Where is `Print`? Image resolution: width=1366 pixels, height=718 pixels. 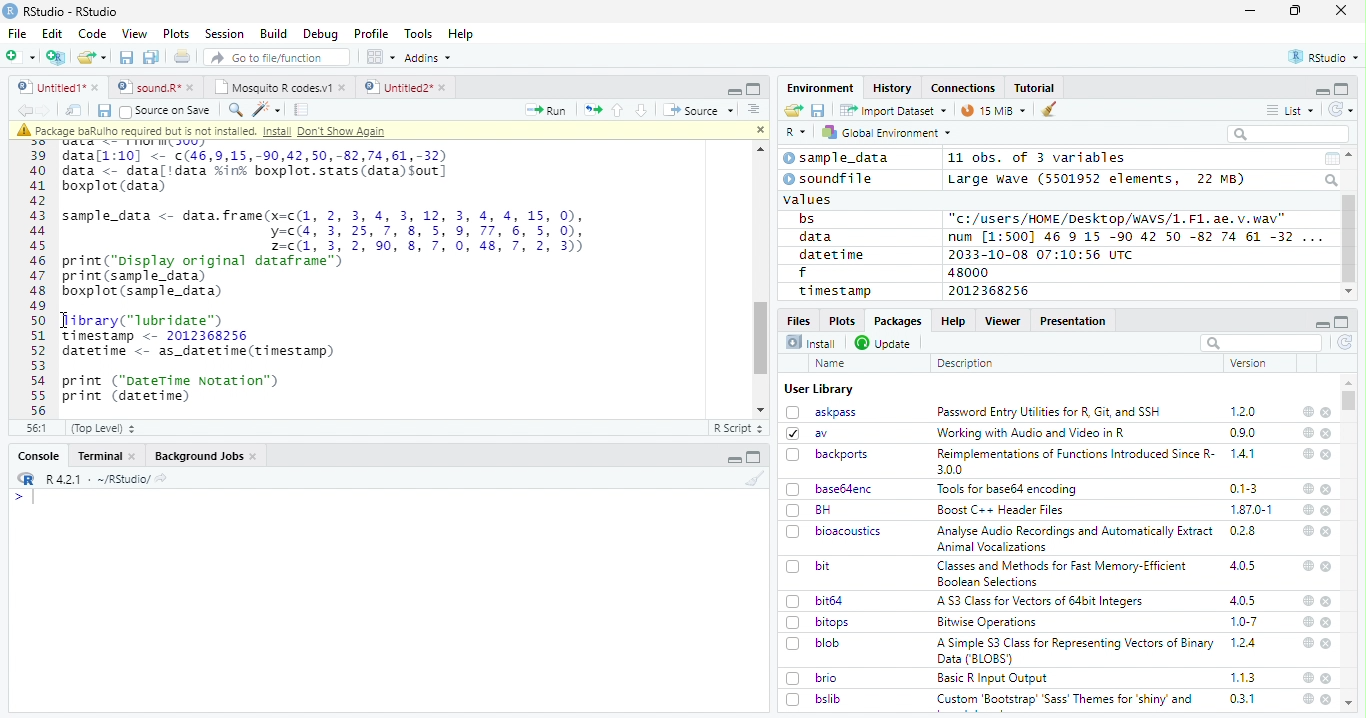
Print is located at coordinates (183, 56).